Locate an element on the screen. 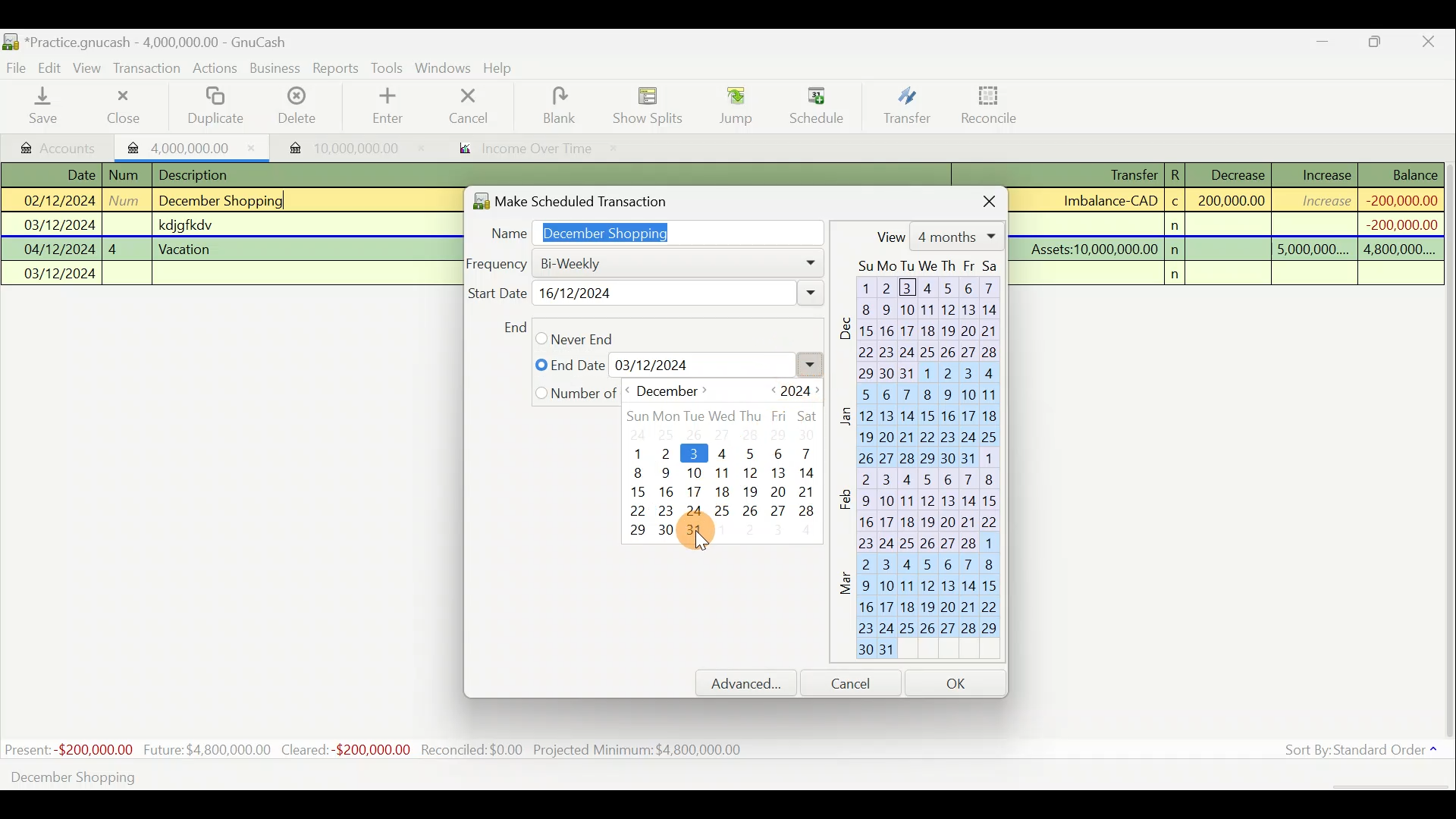 This screenshot has height=819, width=1456. View is located at coordinates (937, 236).